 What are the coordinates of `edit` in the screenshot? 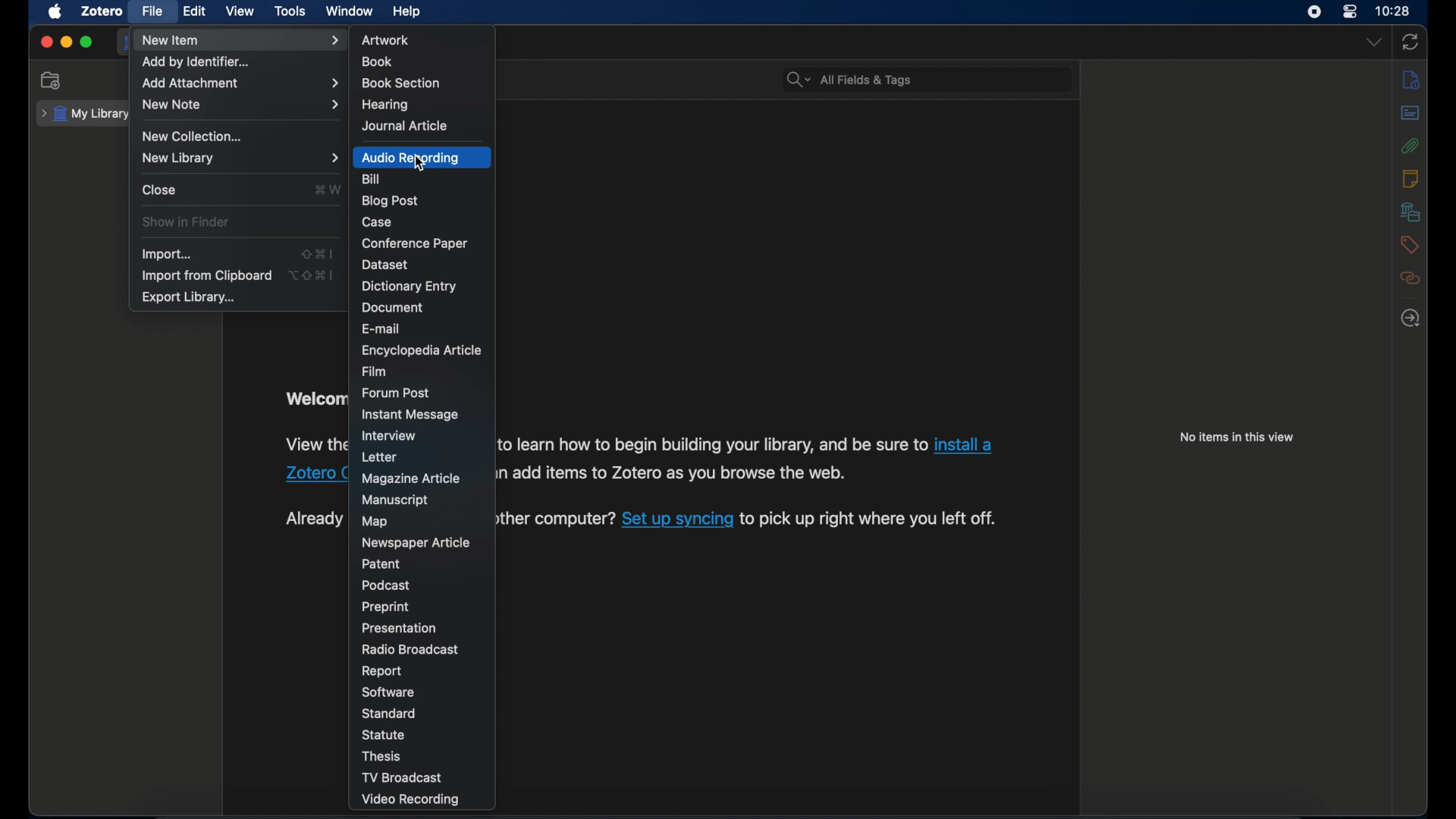 It's located at (195, 12).